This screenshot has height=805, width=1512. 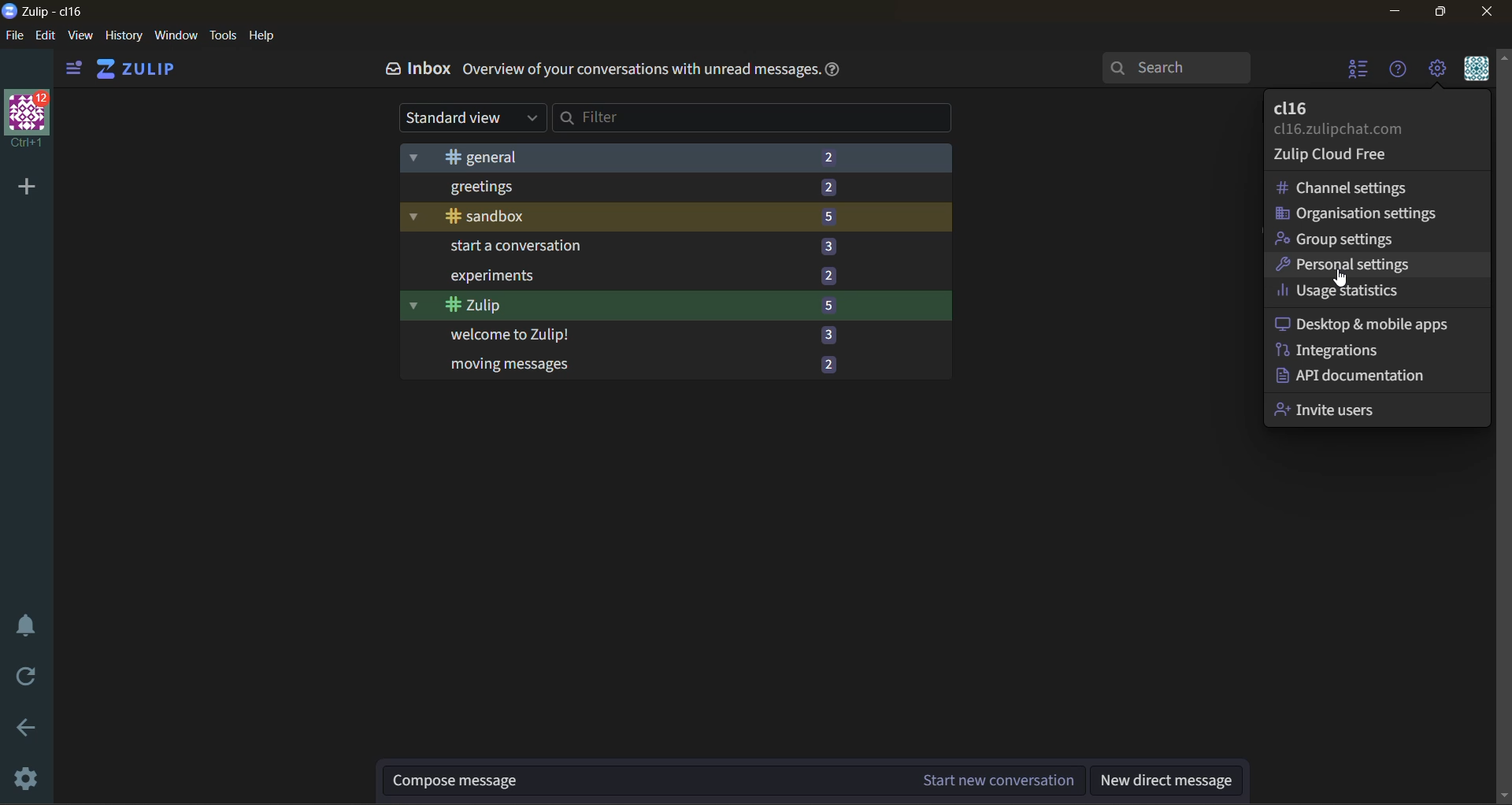 I want to click on organisation settings, so click(x=1357, y=216).